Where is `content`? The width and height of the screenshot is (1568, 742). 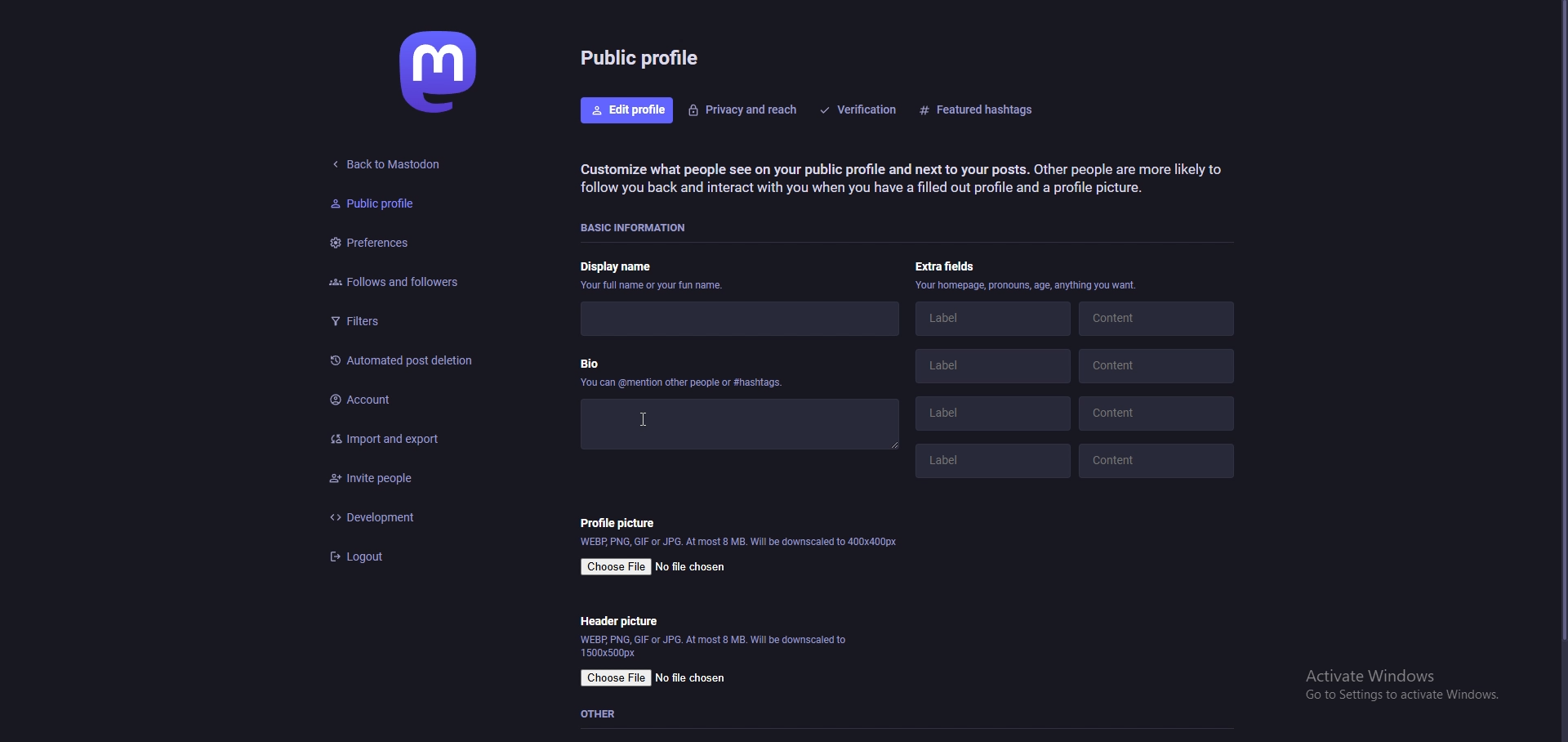 content is located at coordinates (1154, 317).